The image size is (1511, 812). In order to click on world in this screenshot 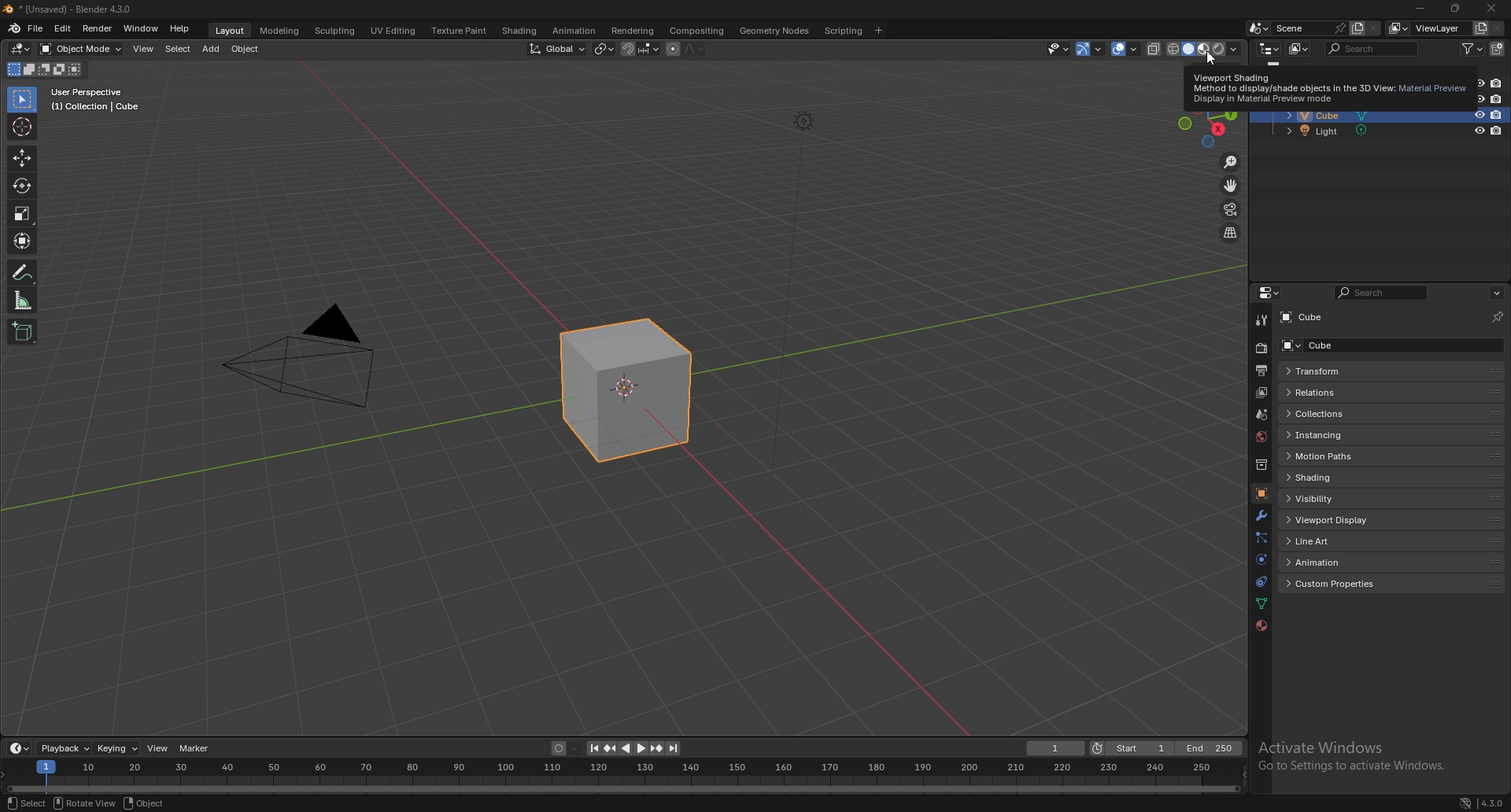, I will do `click(1259, 437)`.